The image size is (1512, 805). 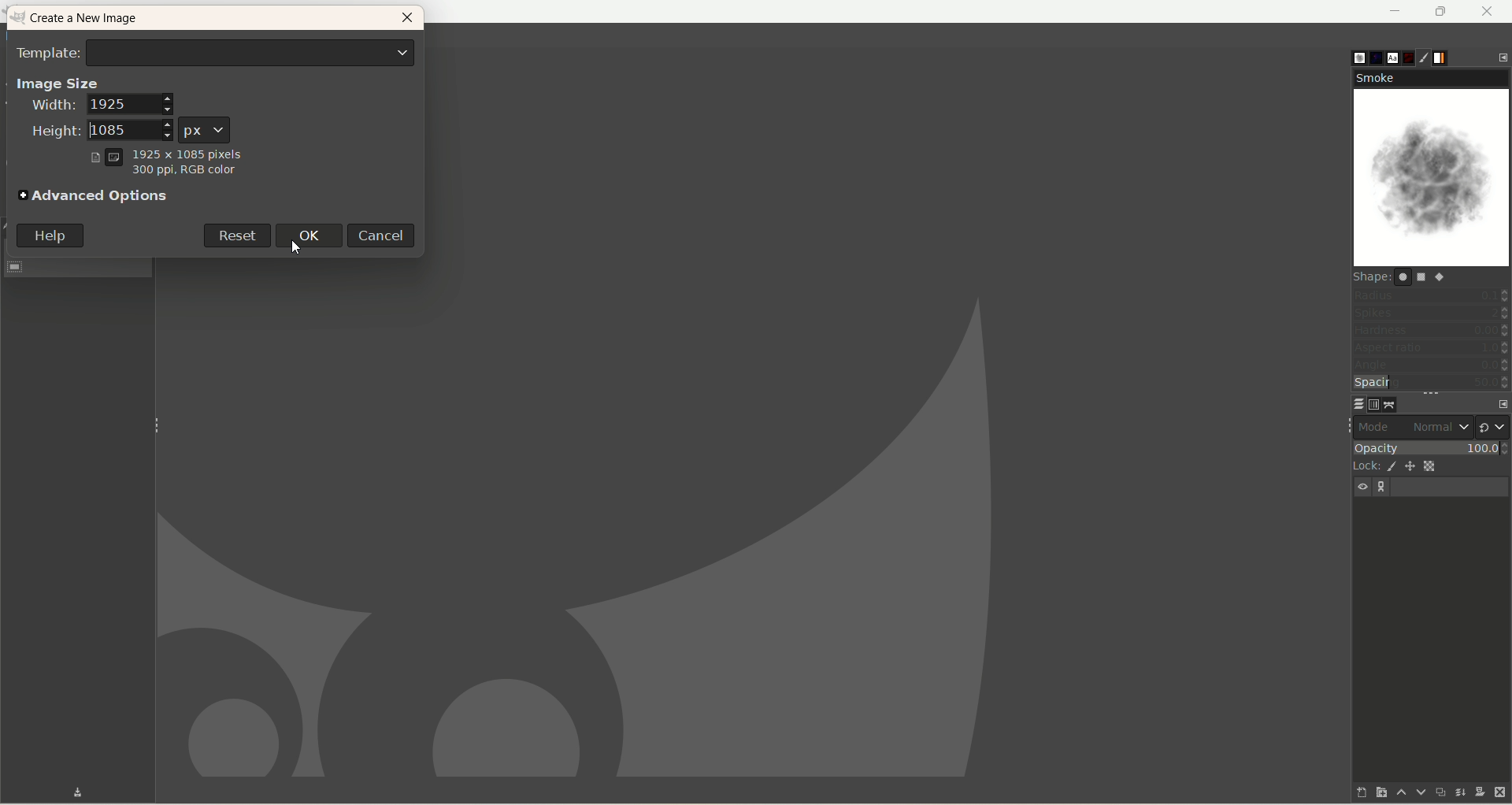 I want to click on reset, so click(x=235, y=234).